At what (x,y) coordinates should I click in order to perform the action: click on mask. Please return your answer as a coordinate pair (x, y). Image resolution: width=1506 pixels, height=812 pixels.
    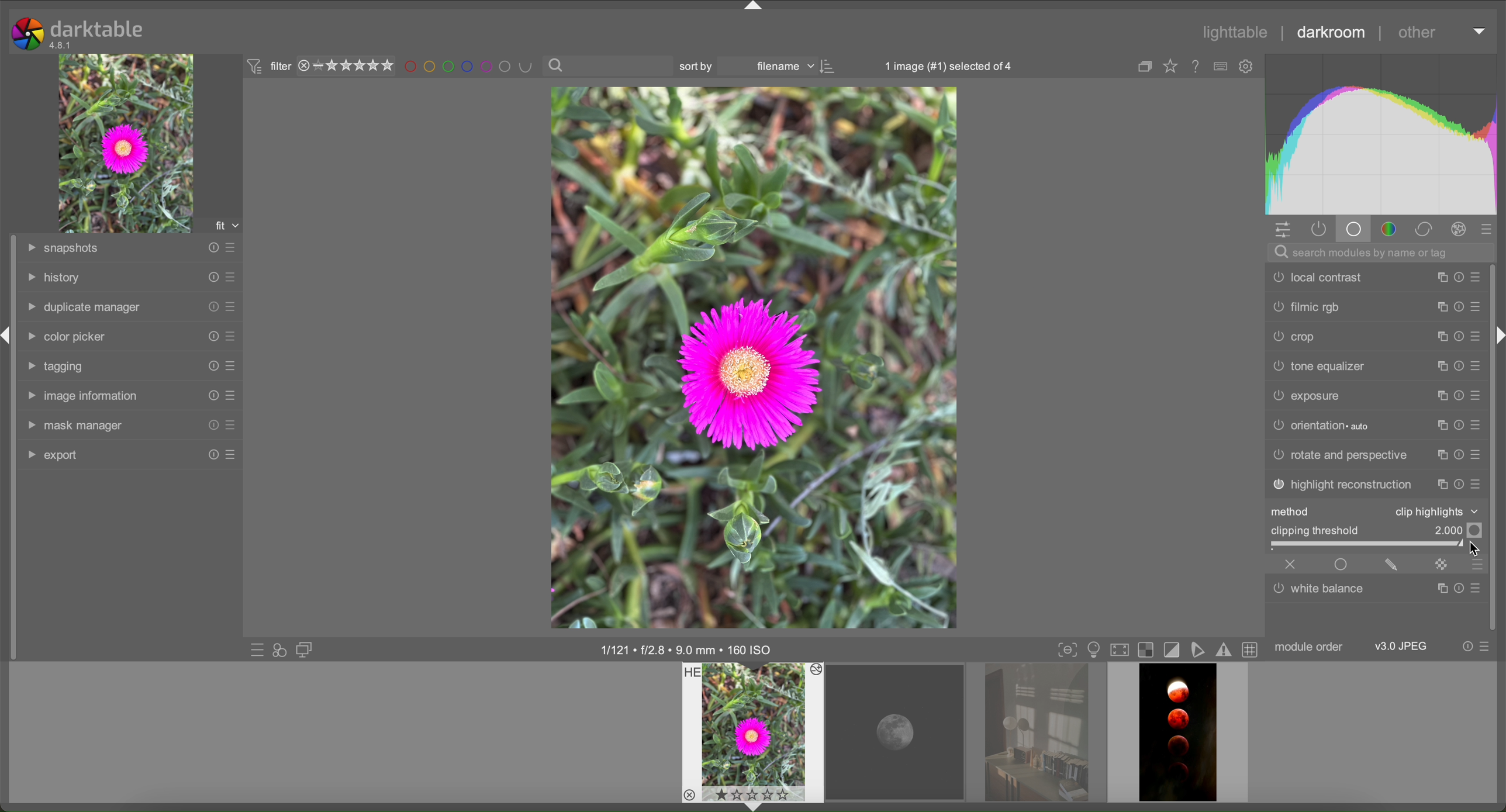
    Looking at the image, I should click on (1441, 564).